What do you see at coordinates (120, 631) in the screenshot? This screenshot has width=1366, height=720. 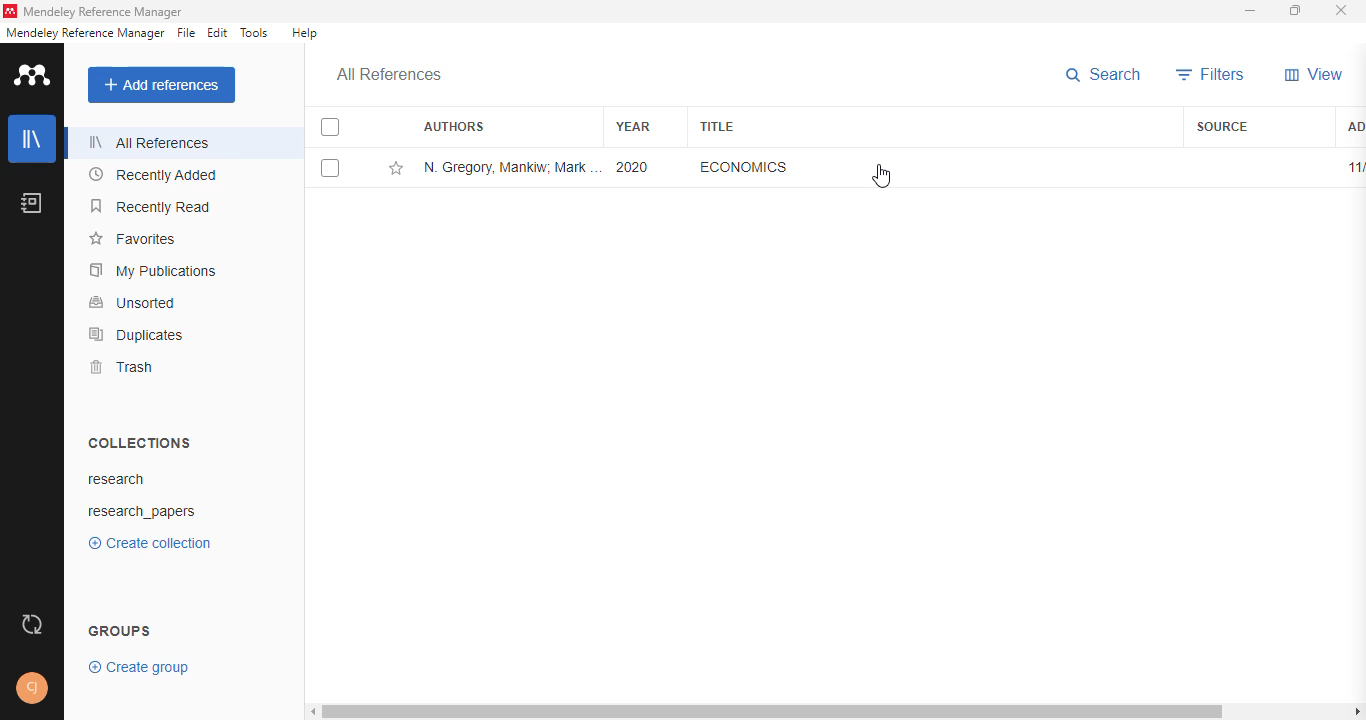 I see `groups` at bounding box center [120, 631].